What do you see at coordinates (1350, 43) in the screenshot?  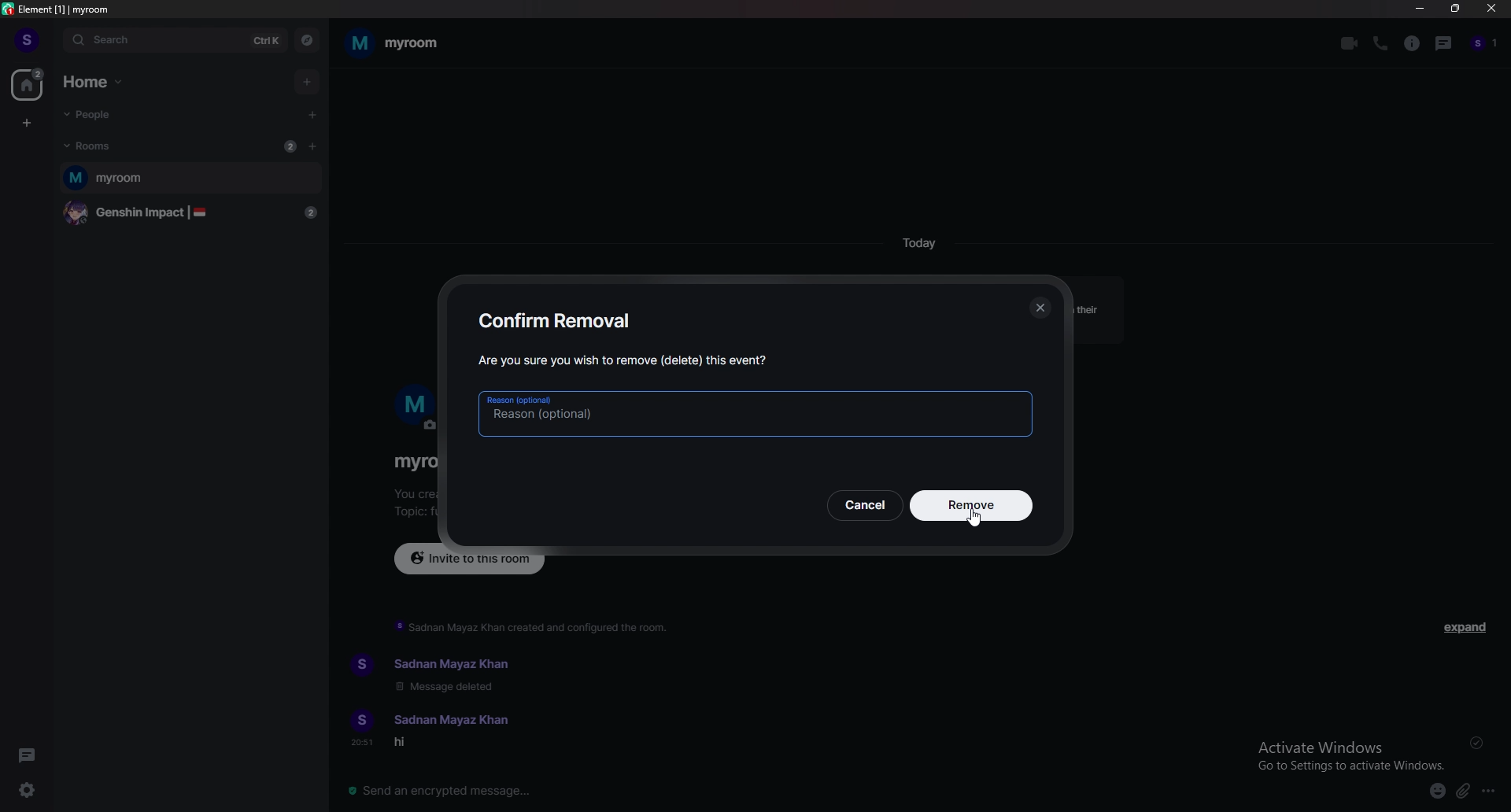 I see `video call` at bounding box center [1350, 43].